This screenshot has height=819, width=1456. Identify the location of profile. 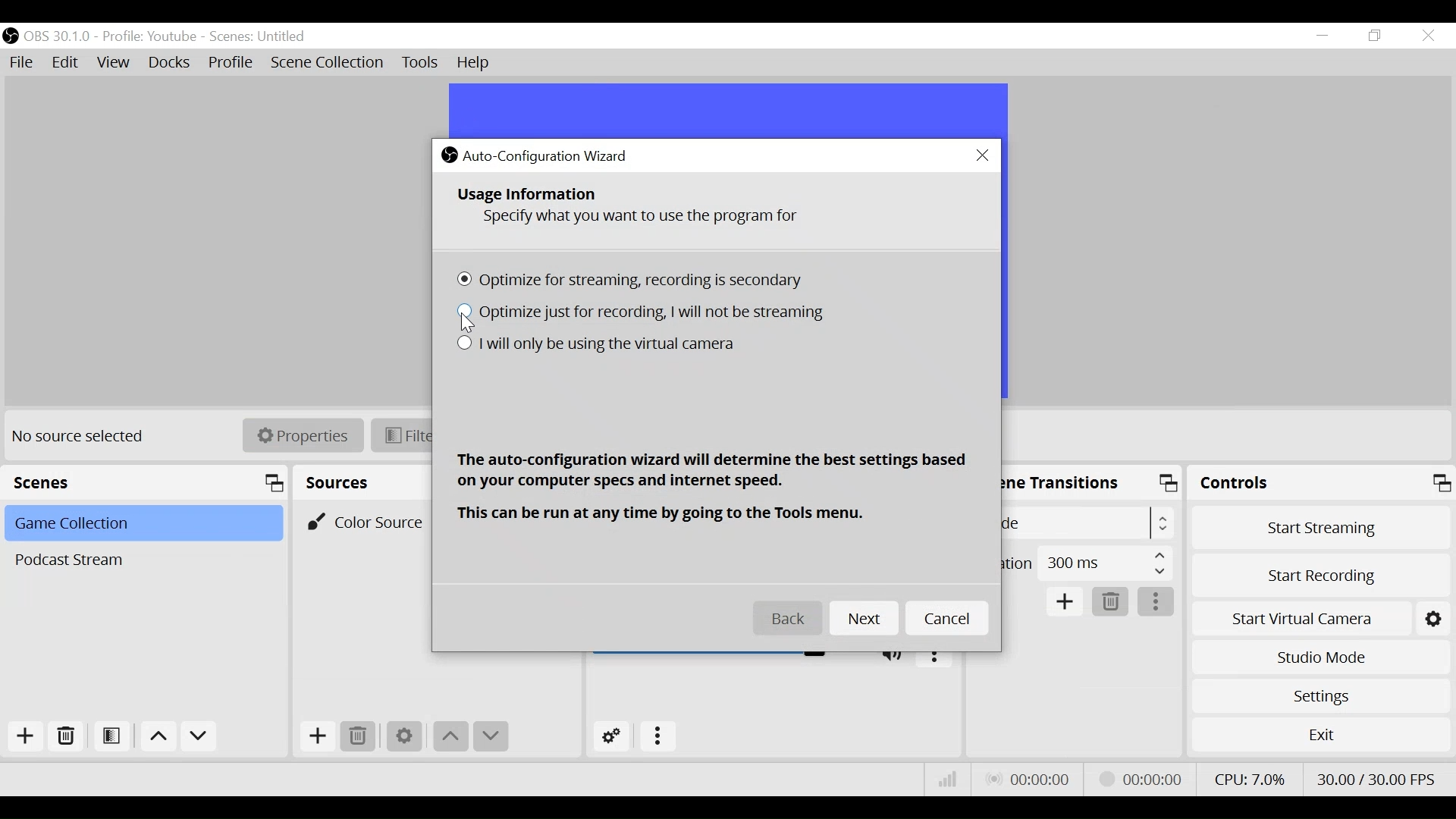
(149, 37).